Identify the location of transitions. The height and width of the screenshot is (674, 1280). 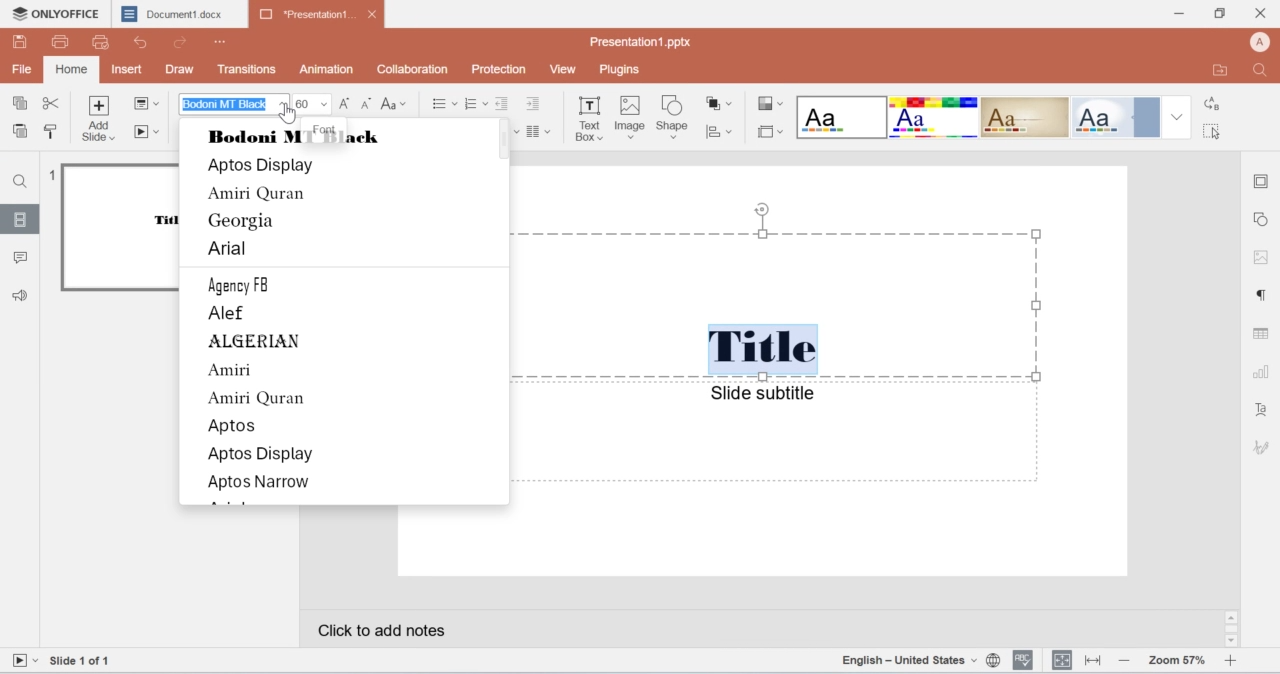
(249, 69).